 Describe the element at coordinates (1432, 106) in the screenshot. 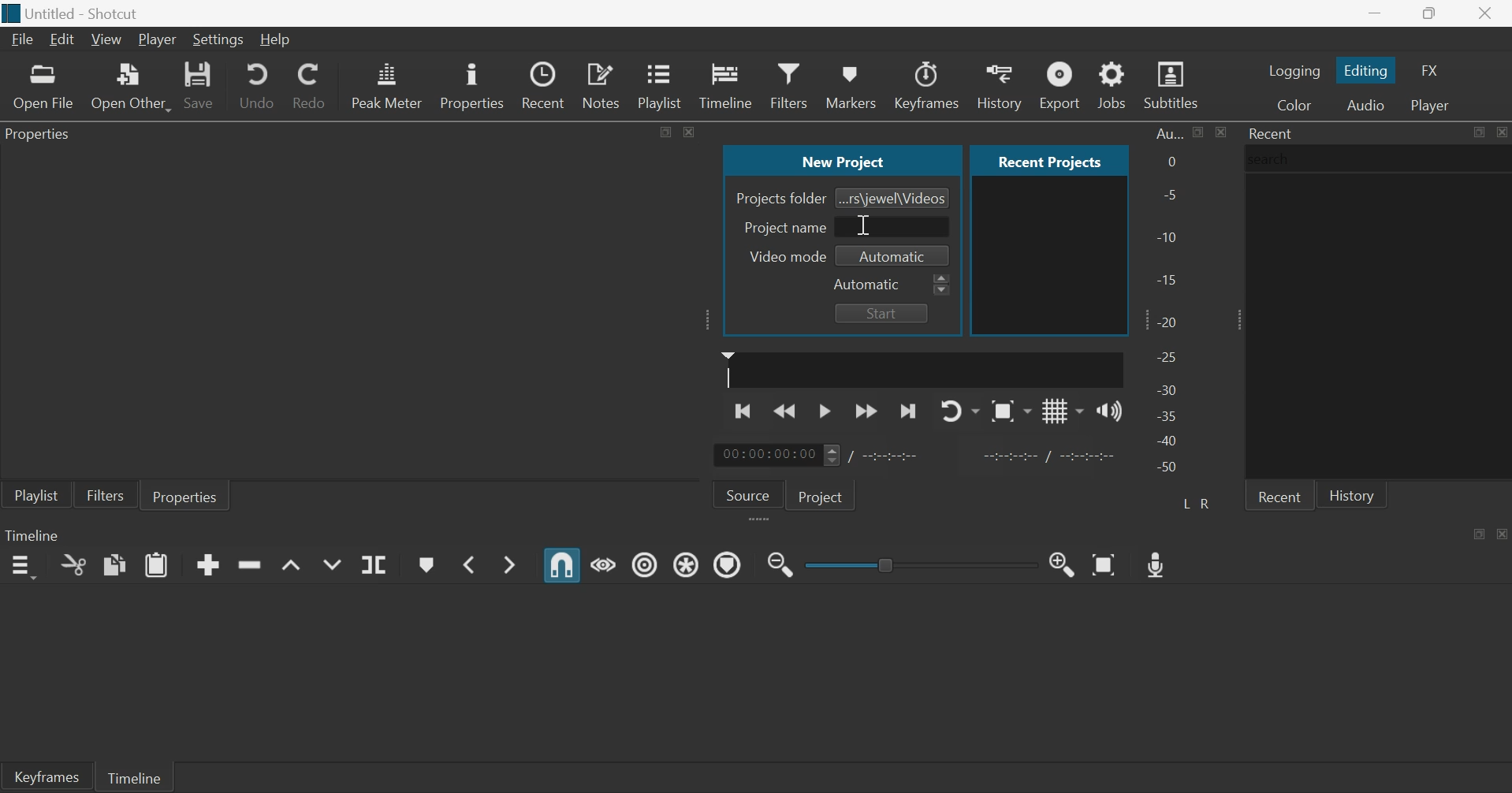

I see `Switch to the Player only layout` at that location.